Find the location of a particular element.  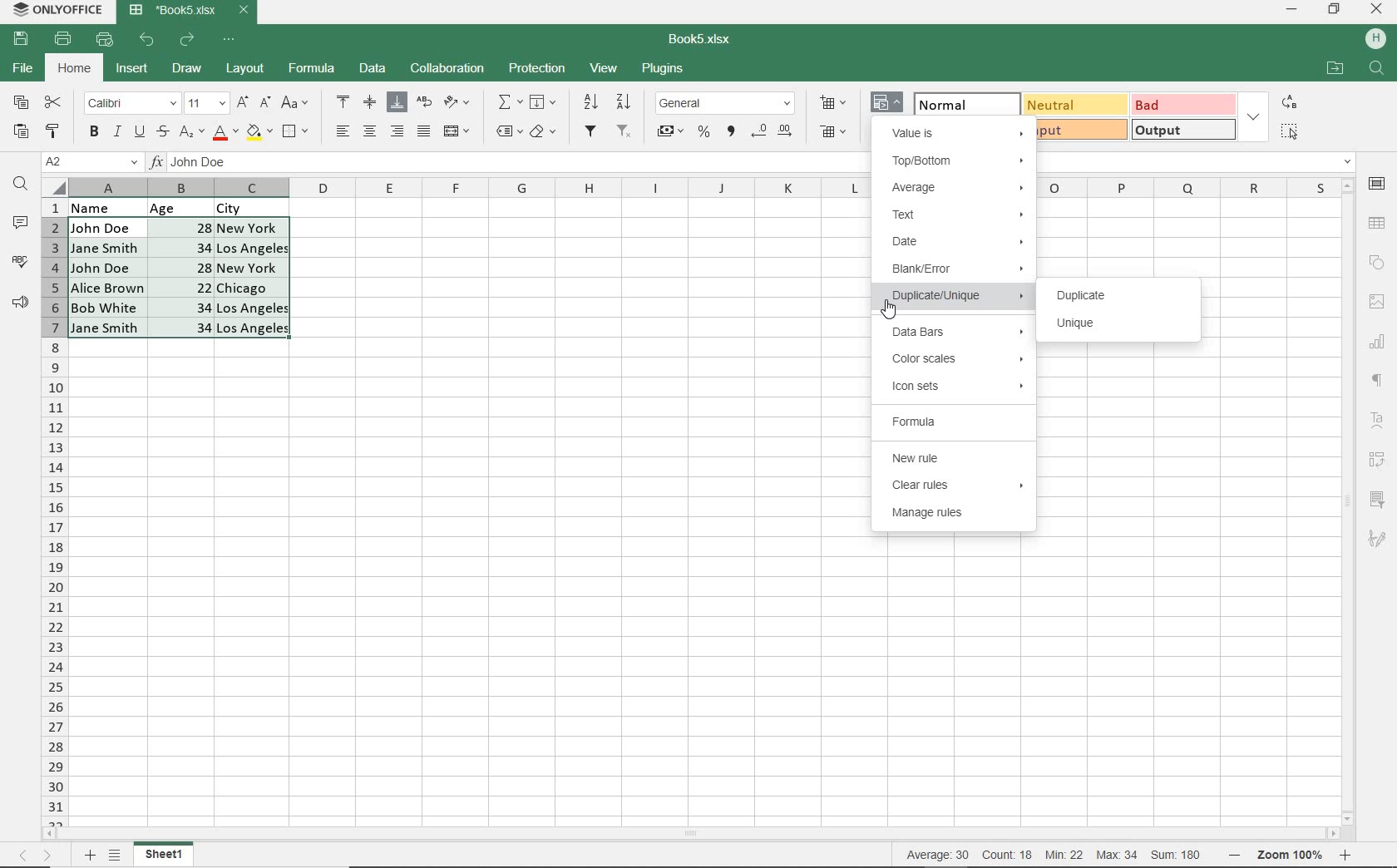

DELETE CELLS is located at coordinates (835, 133).